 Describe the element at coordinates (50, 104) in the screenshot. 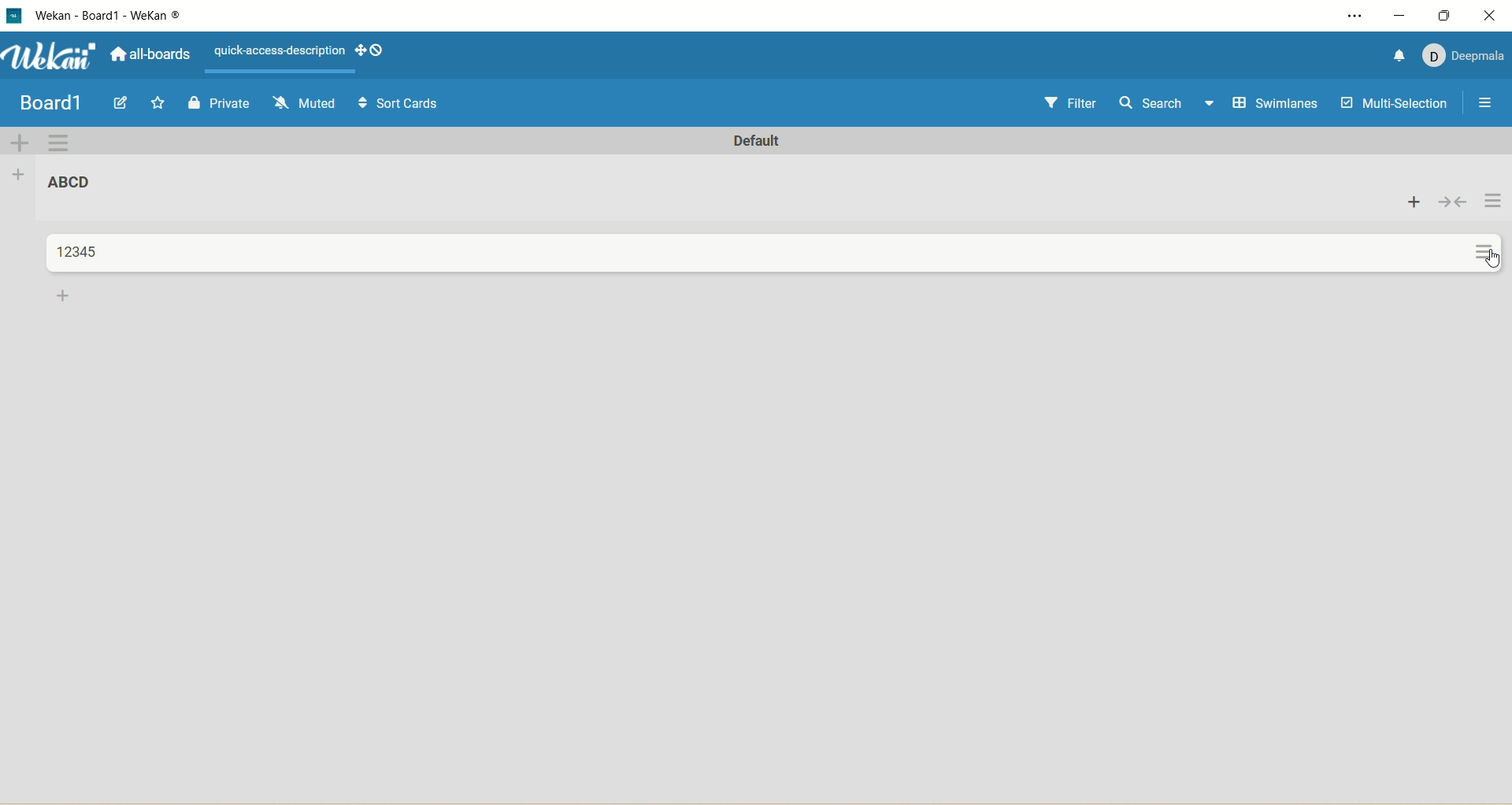

I see `board1` at that location.